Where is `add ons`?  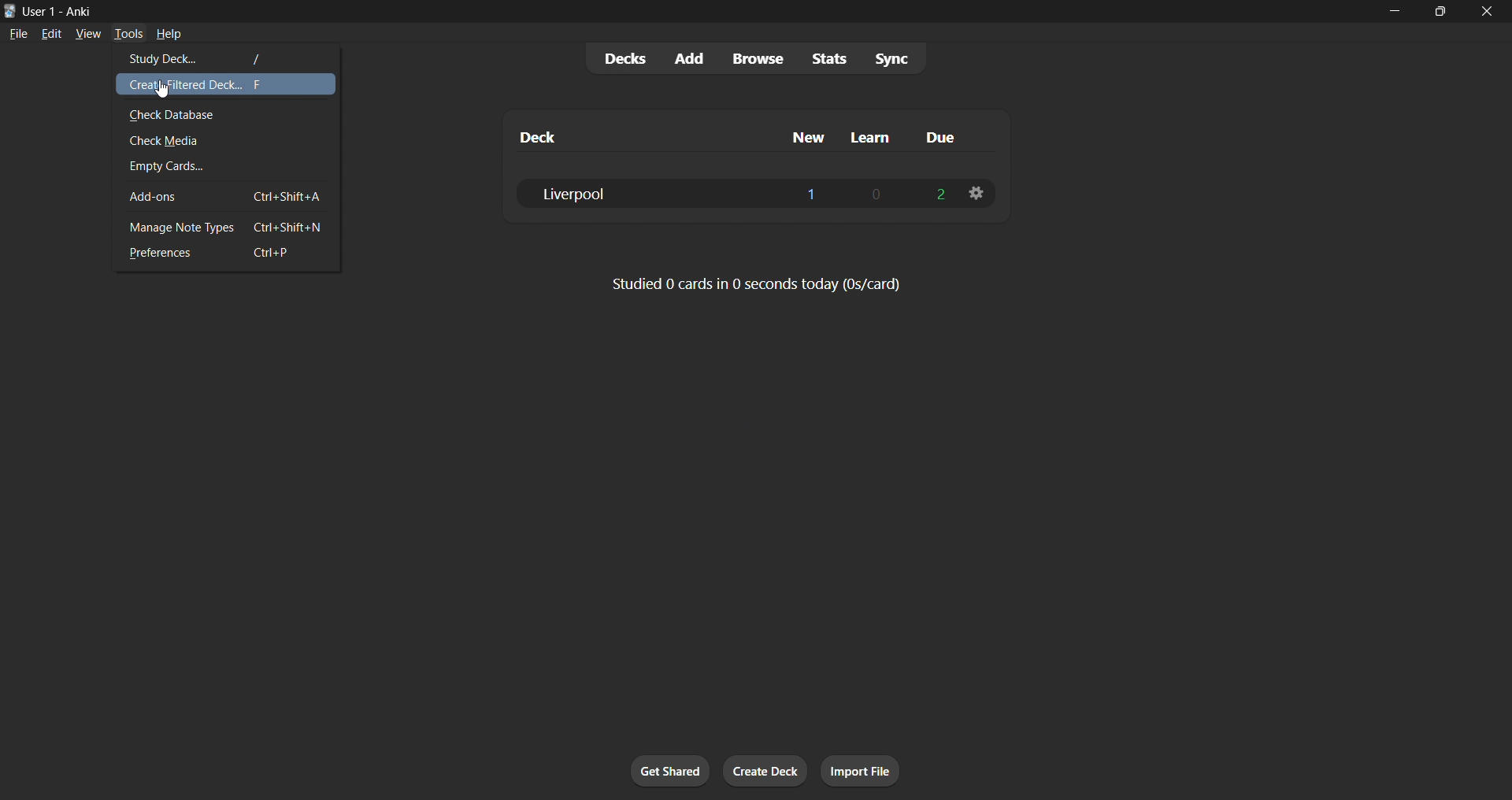 add ons is located at coordinates (226, 196).